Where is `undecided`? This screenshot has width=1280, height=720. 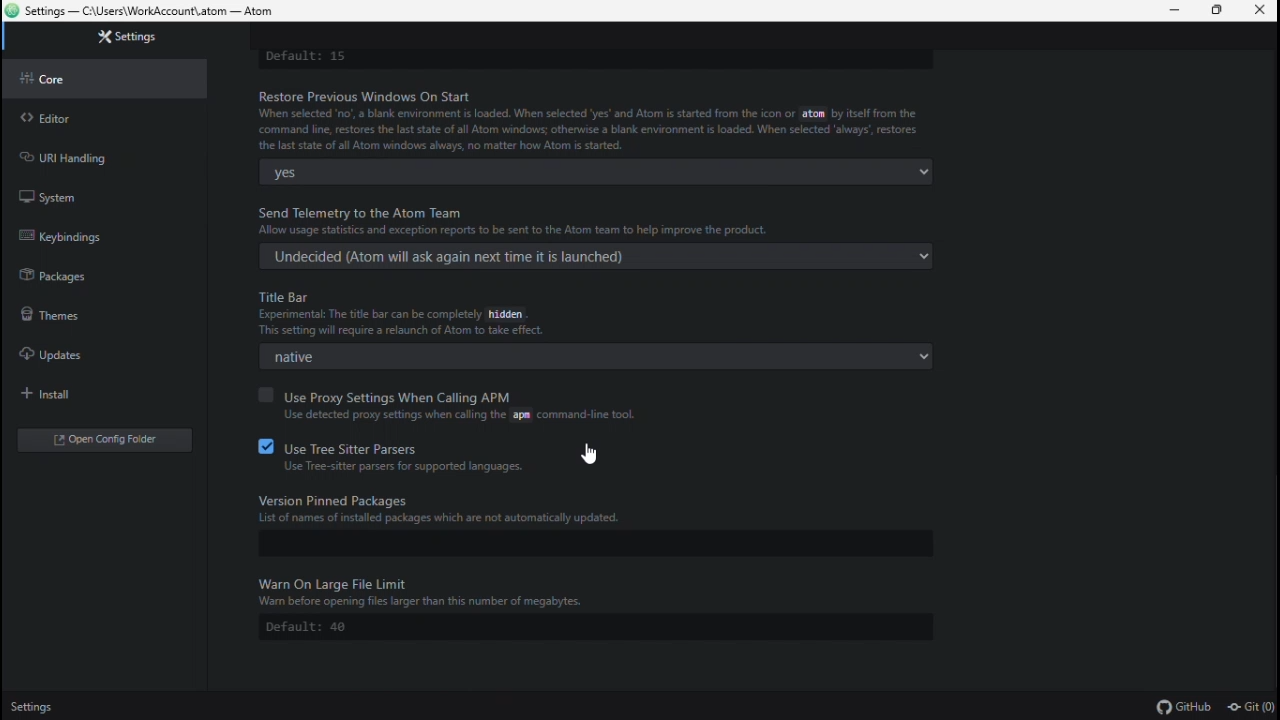 undecided is located at coordinates (591, 255).